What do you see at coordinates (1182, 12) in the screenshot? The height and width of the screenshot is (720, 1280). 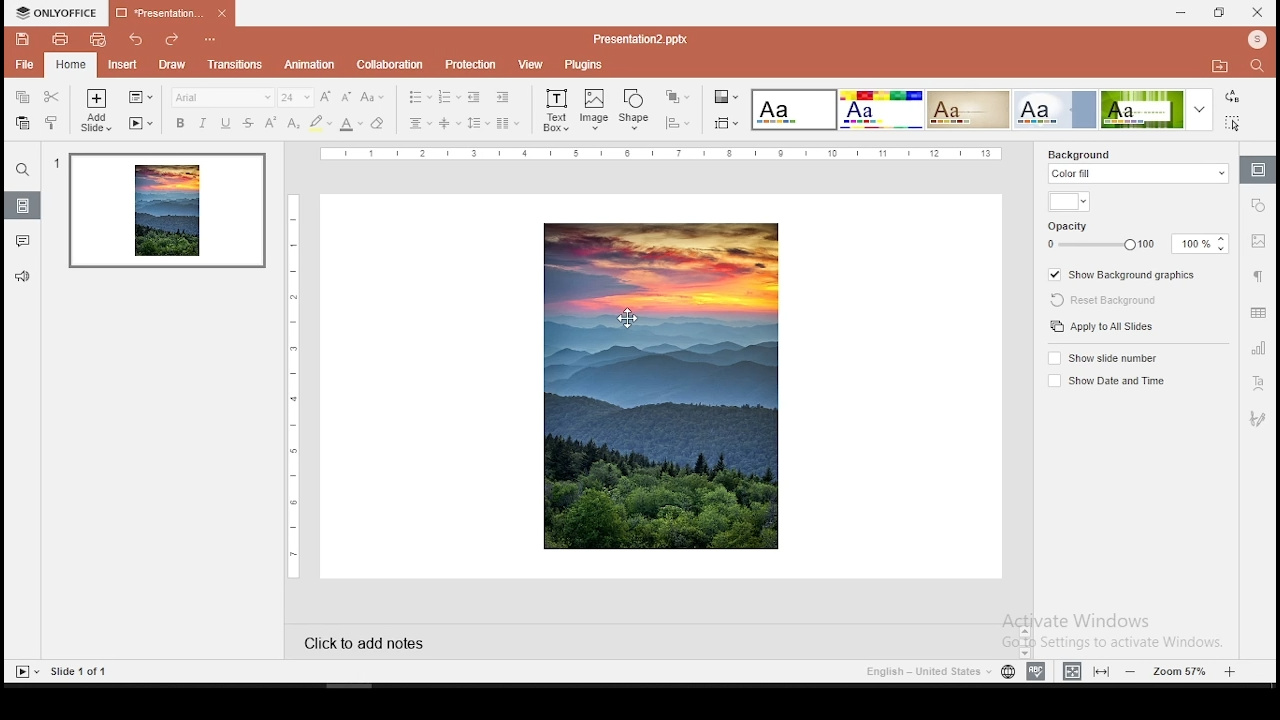 I see `minimize` at bounding box center [1182, 12].